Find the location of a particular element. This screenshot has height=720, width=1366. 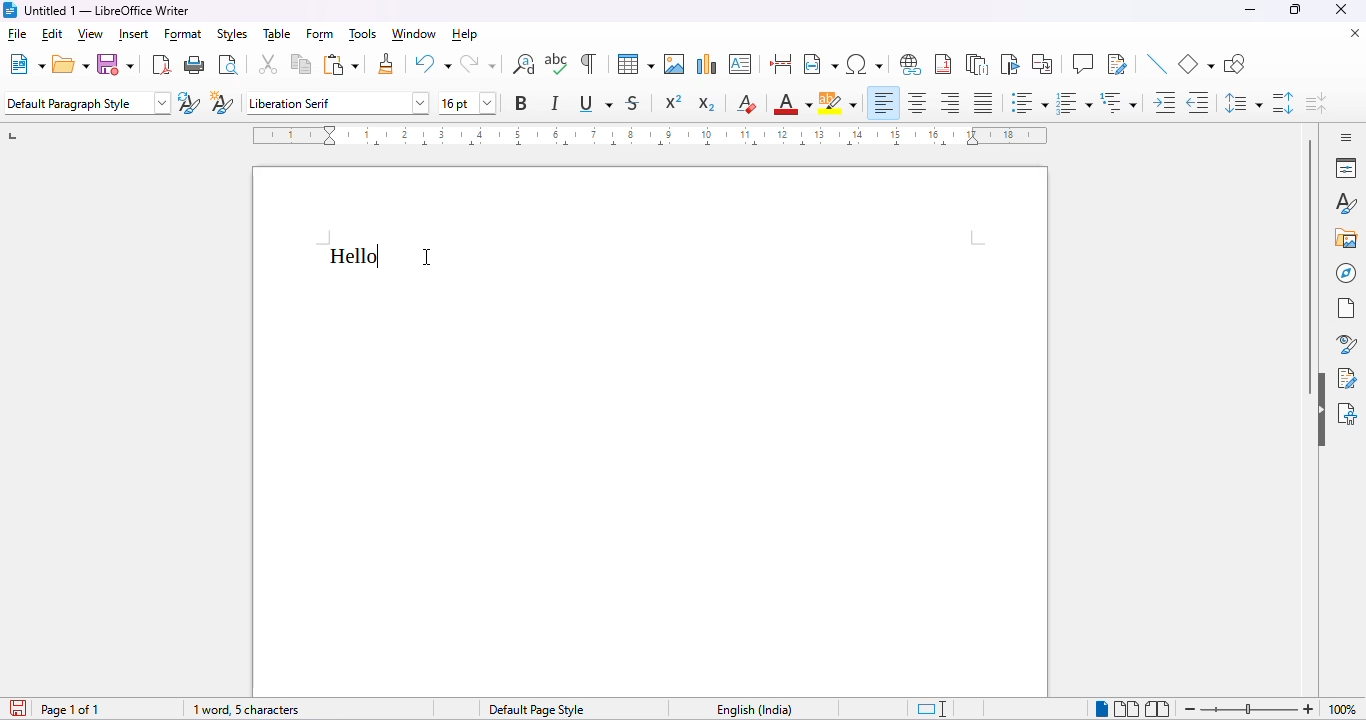

undo is located at coordinates (432, 64).